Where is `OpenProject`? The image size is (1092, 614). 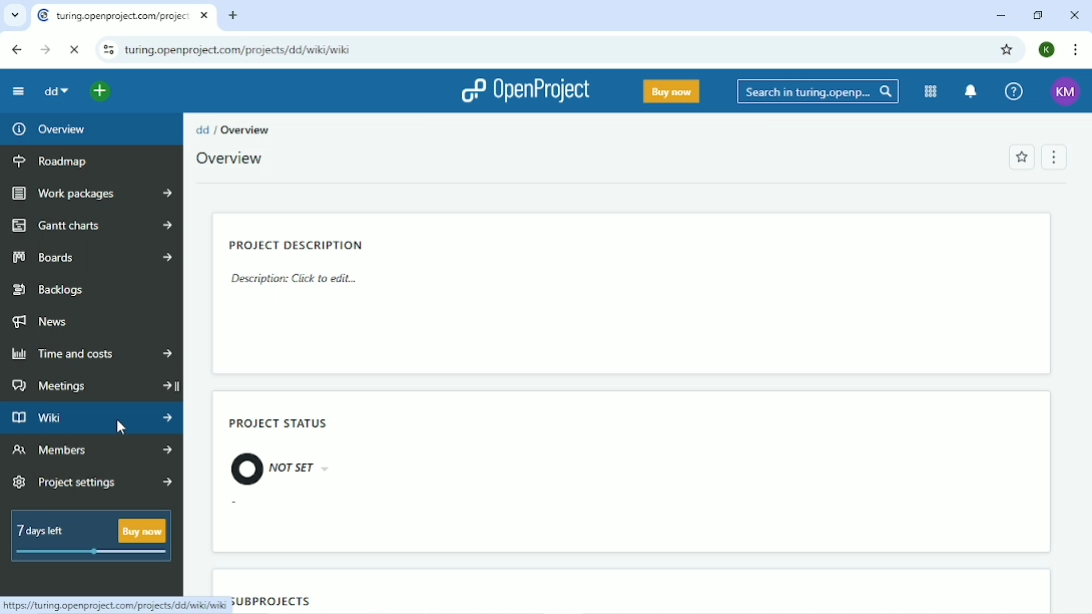
OpenProject is located at coordinates (521, 90).